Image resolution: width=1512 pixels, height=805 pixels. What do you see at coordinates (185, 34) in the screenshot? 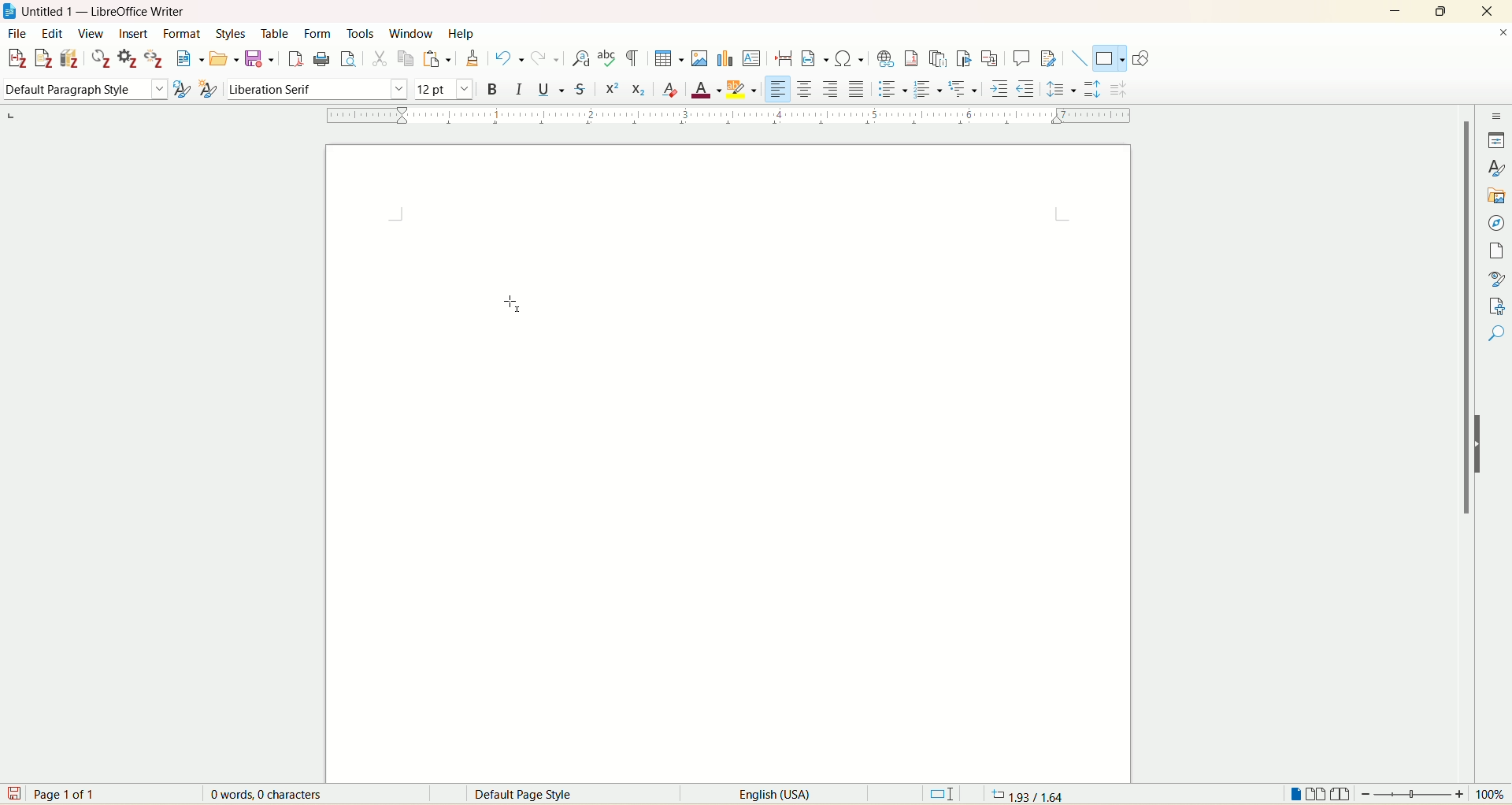
I see `format` at bounding box center [185, 34].